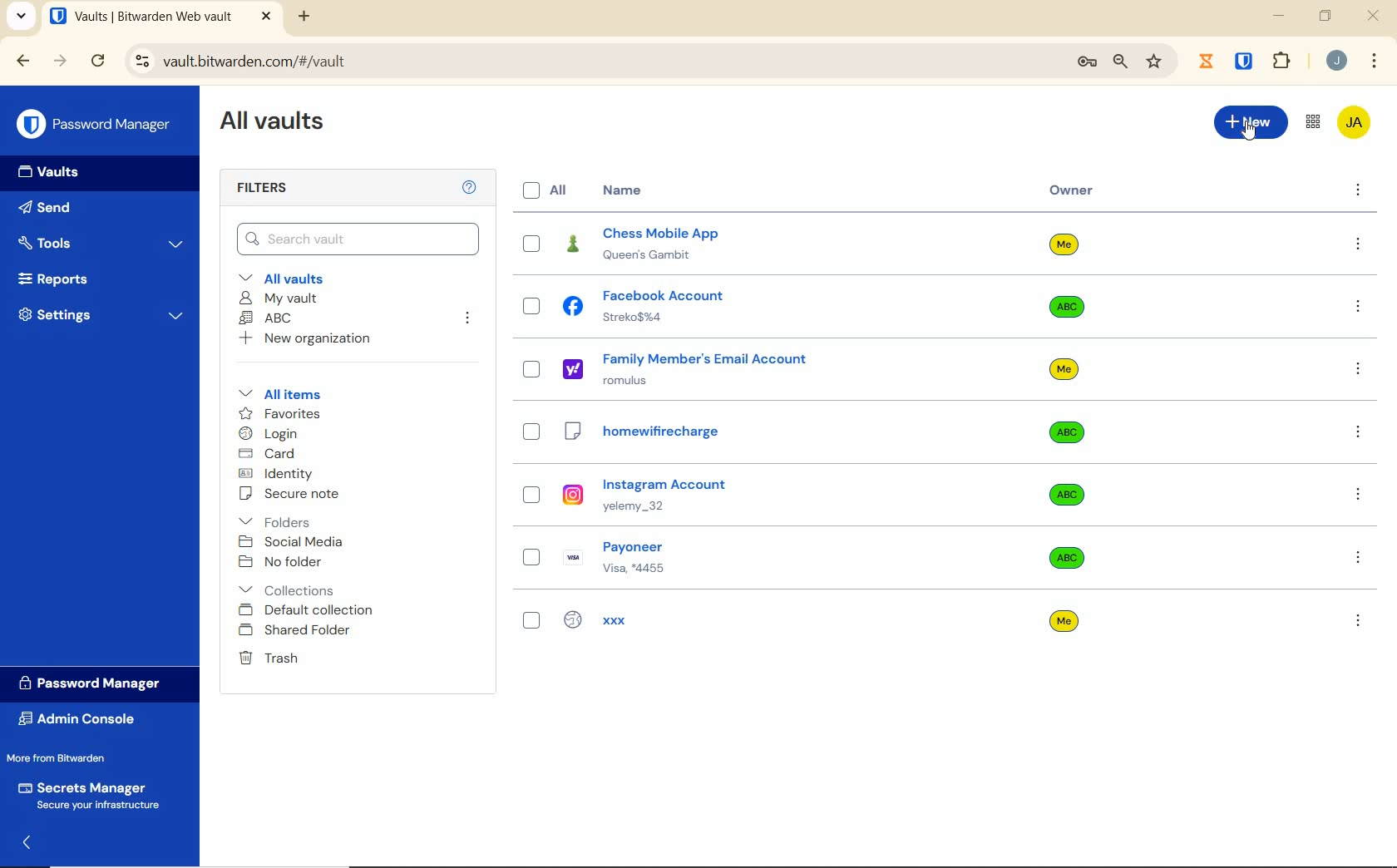  What do you see at coordinates (1154, 62) in the screenshot?
I see `bookmark` at bounding box center [1154, 62].